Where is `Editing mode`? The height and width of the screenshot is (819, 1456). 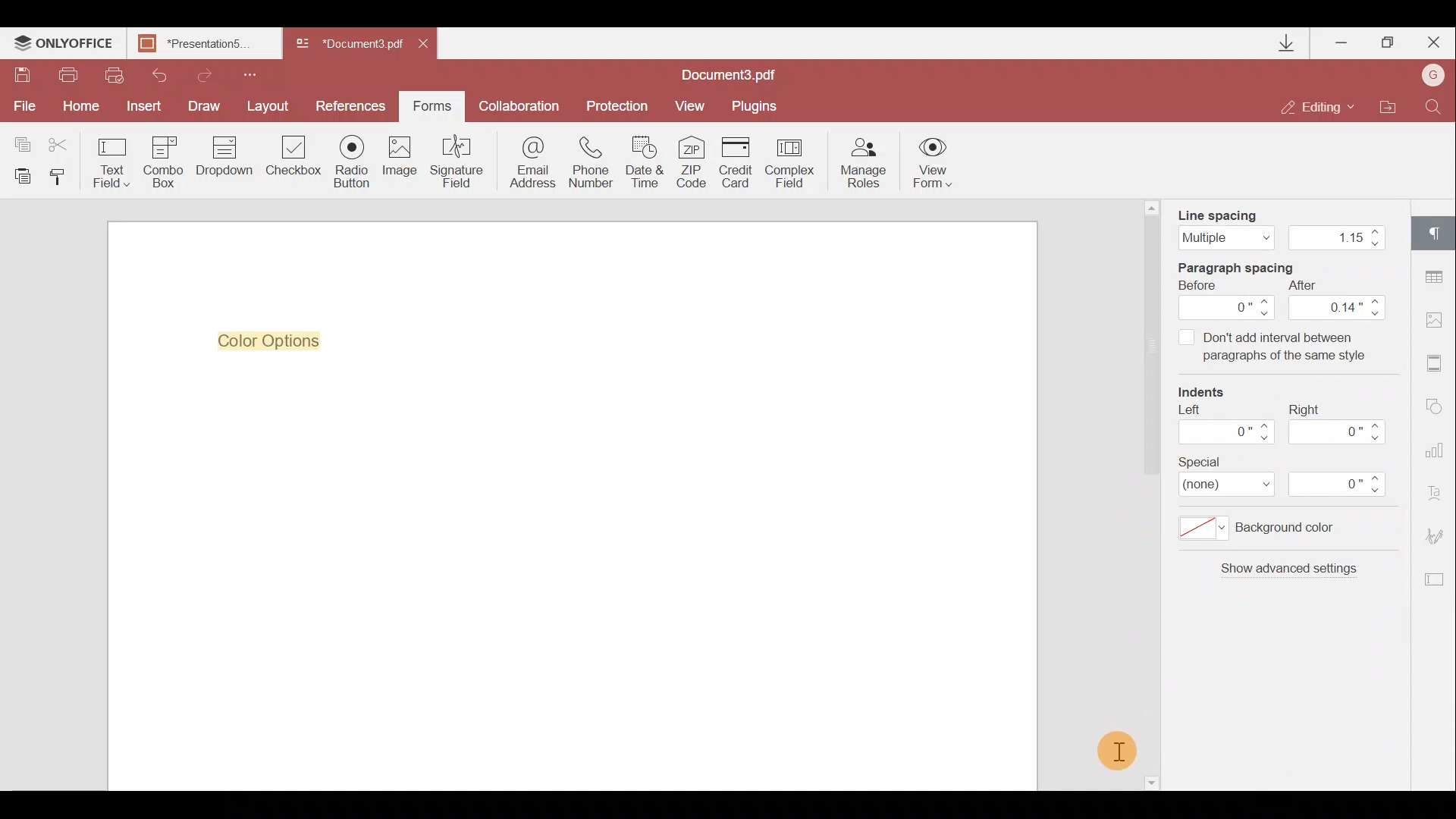
Editing mode is located at coordinates (1319, 108).